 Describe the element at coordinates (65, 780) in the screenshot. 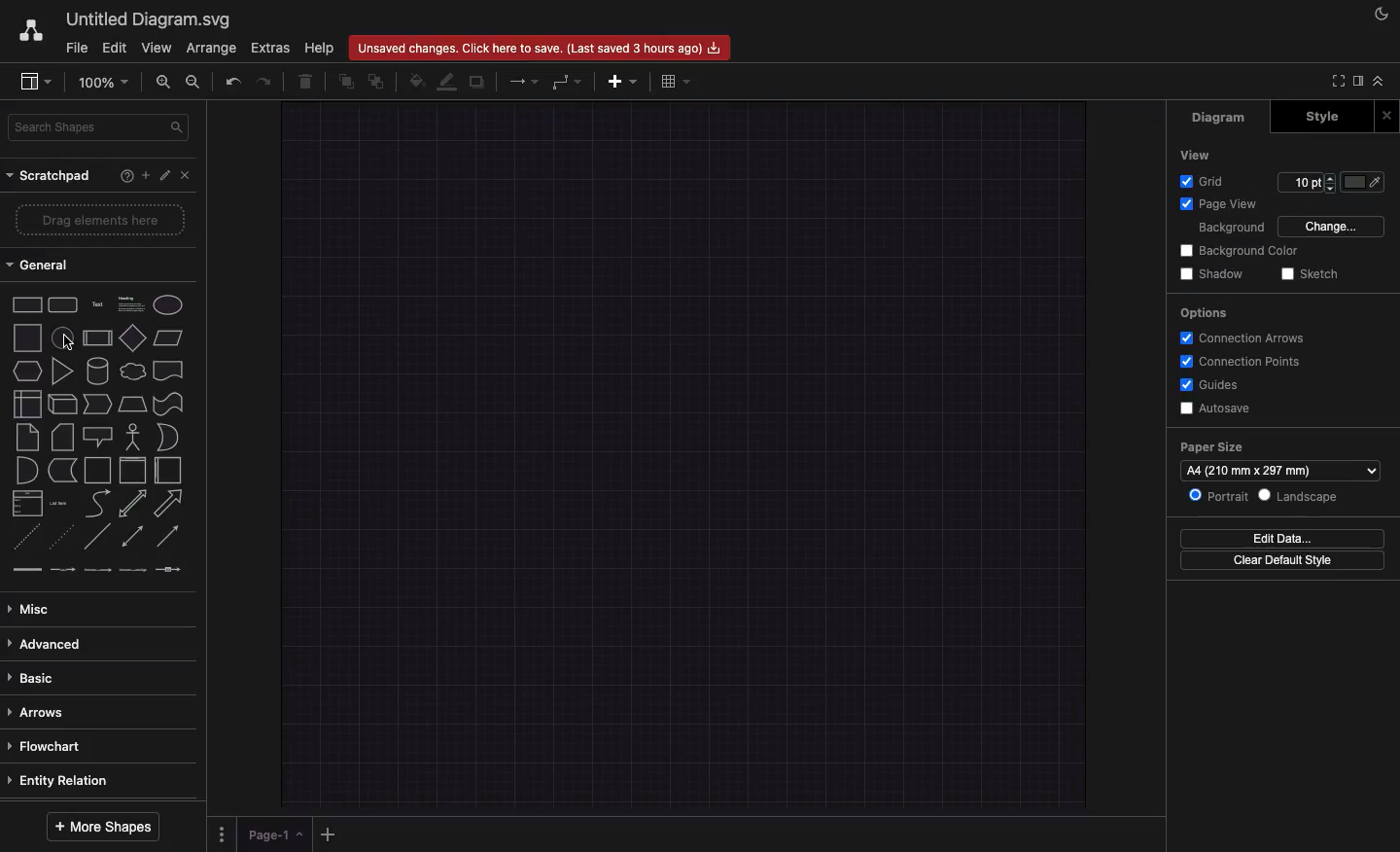

I see `Entity rotation` at that location.